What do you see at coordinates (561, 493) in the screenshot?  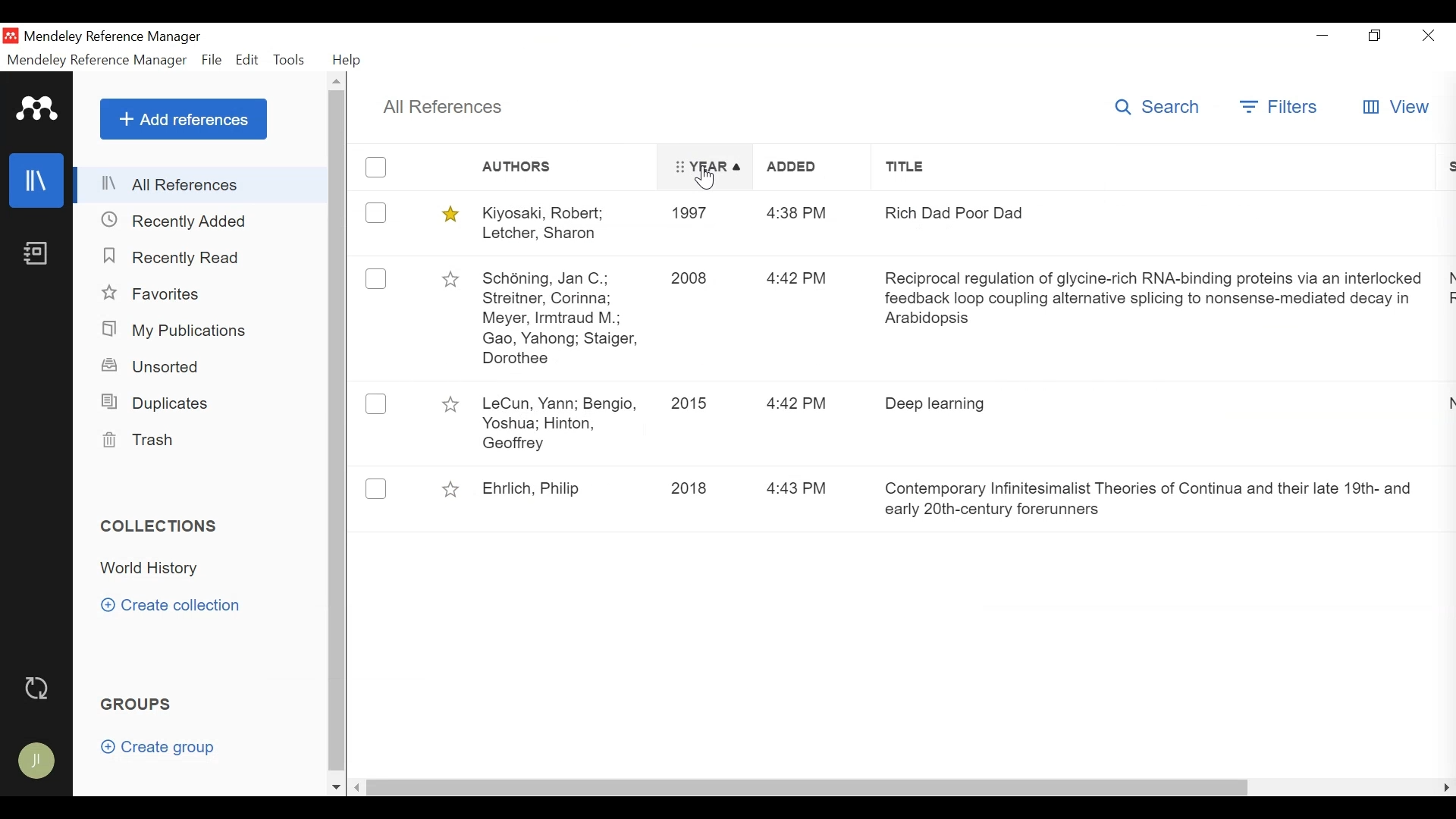 I see `Ehrich, Philip` at bounding box center [561, 493].